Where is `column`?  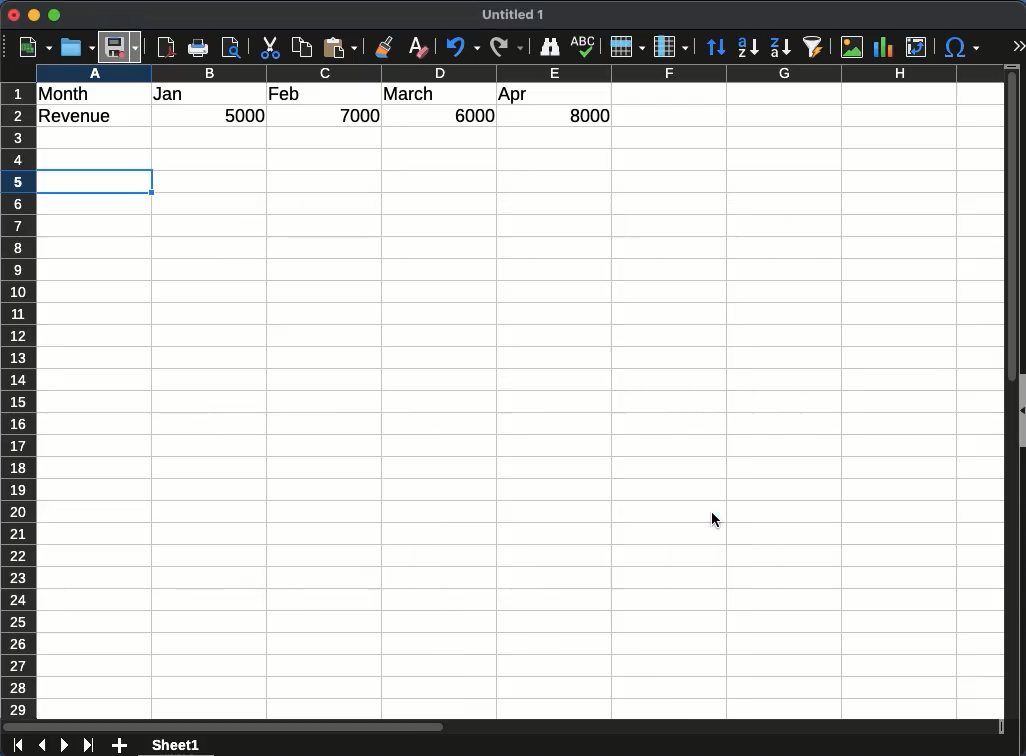
column is located at coordinates (671, 46).